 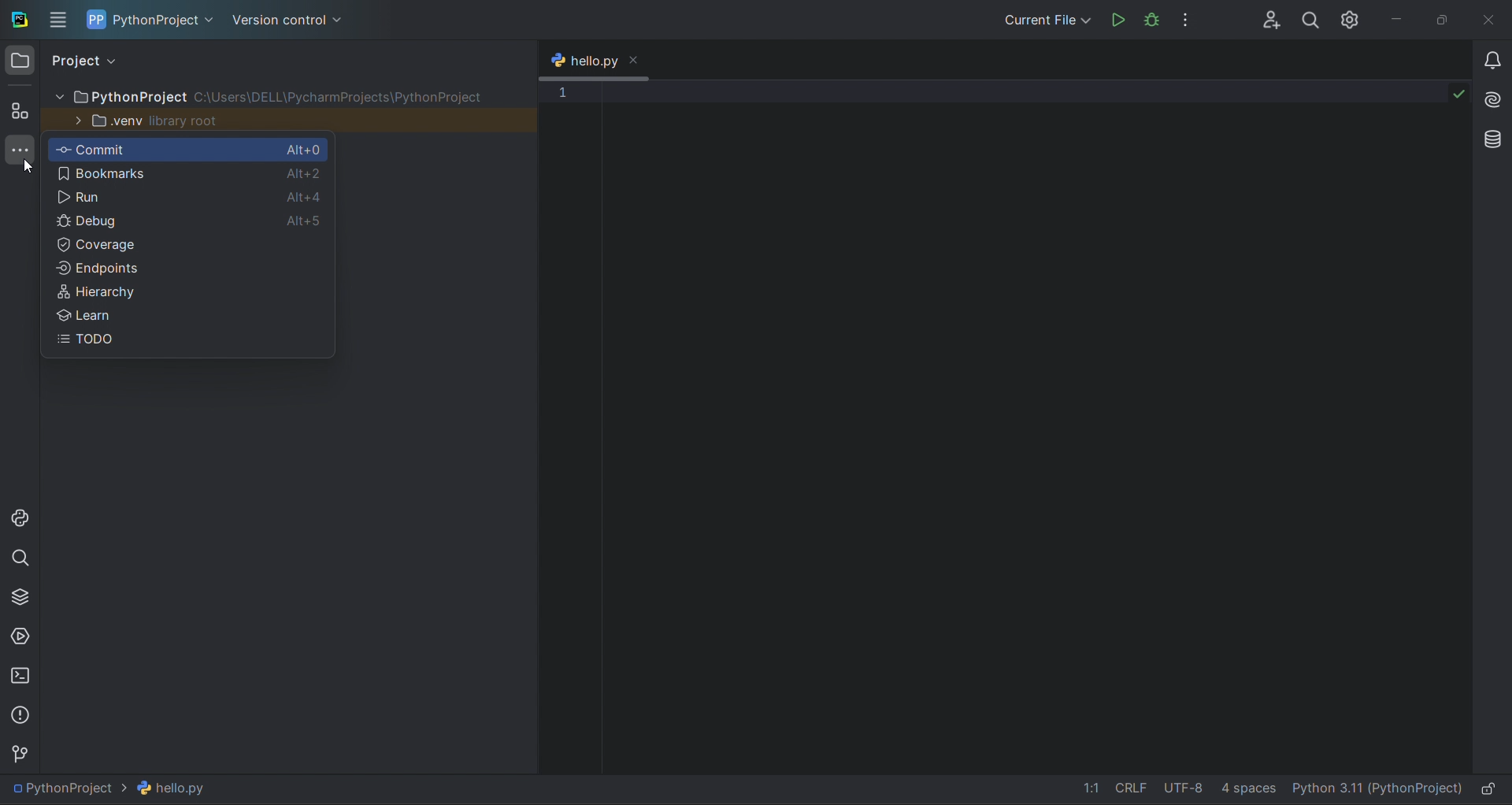 I want to click on .venv, so click(x=106, y=121).